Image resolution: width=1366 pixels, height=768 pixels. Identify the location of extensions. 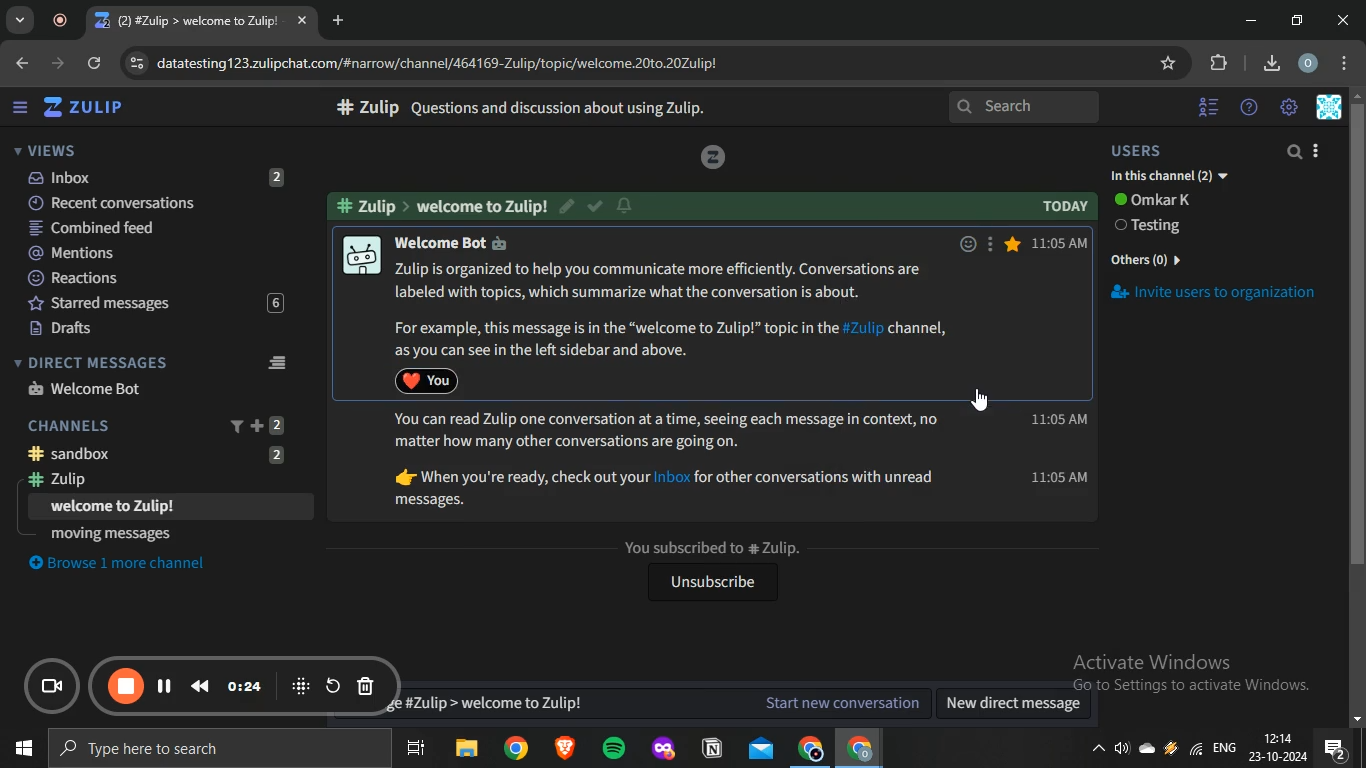
(1220, 63).